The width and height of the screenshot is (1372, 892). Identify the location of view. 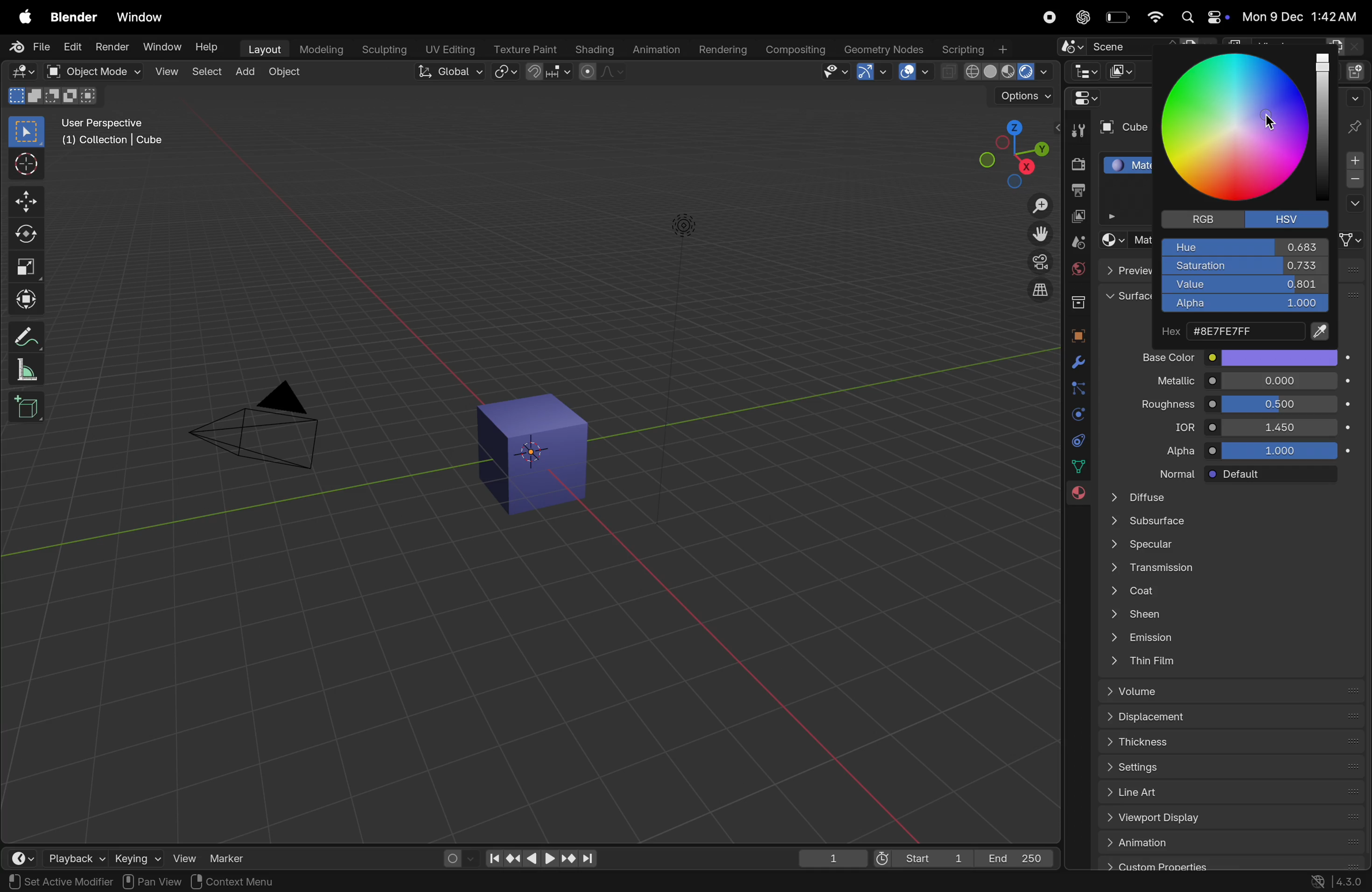
(178, 857).